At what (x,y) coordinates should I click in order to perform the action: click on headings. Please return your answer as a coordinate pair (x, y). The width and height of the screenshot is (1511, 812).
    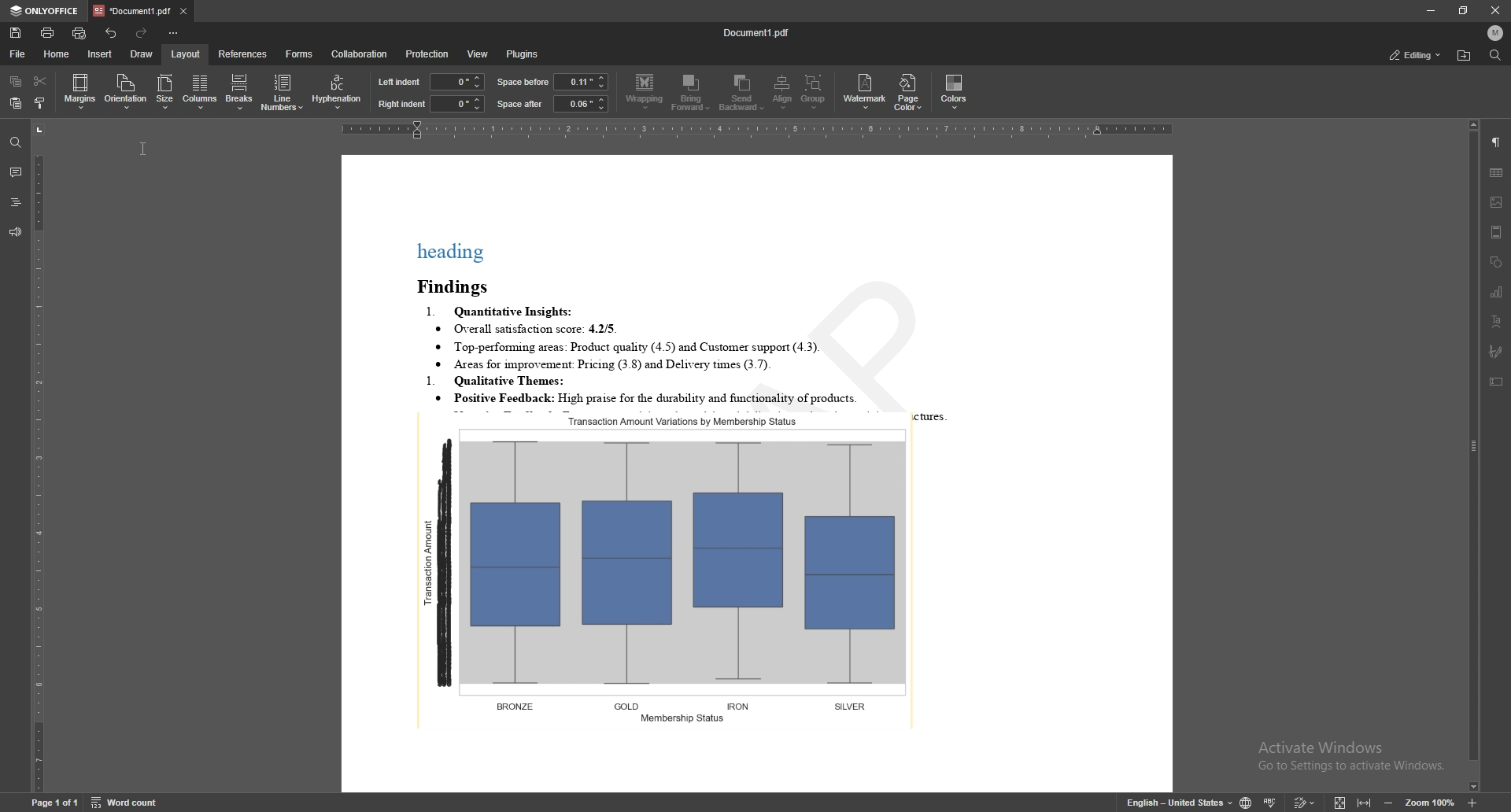
    Looking at the image, I should click on (15, 201).